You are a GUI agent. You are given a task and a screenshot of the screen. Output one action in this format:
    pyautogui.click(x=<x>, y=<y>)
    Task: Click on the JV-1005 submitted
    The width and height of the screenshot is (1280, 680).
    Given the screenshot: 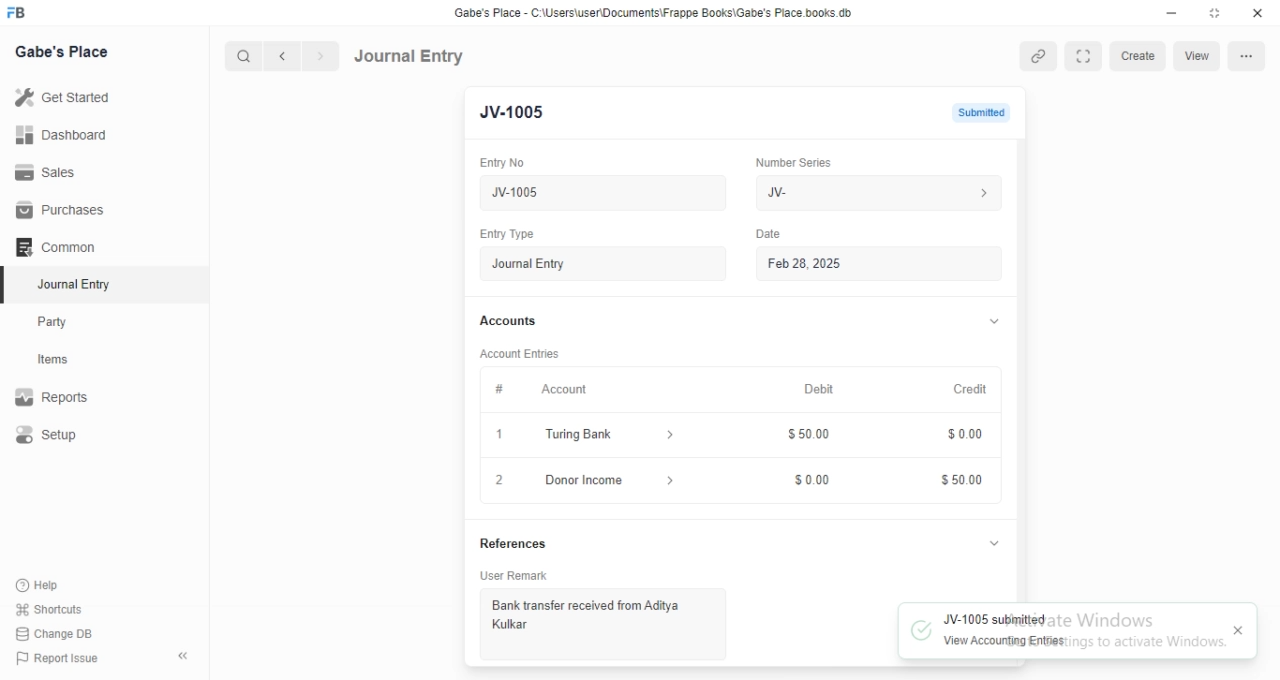 What is the action you would take?
    pyautogui.click(x=1078, y=617)
    